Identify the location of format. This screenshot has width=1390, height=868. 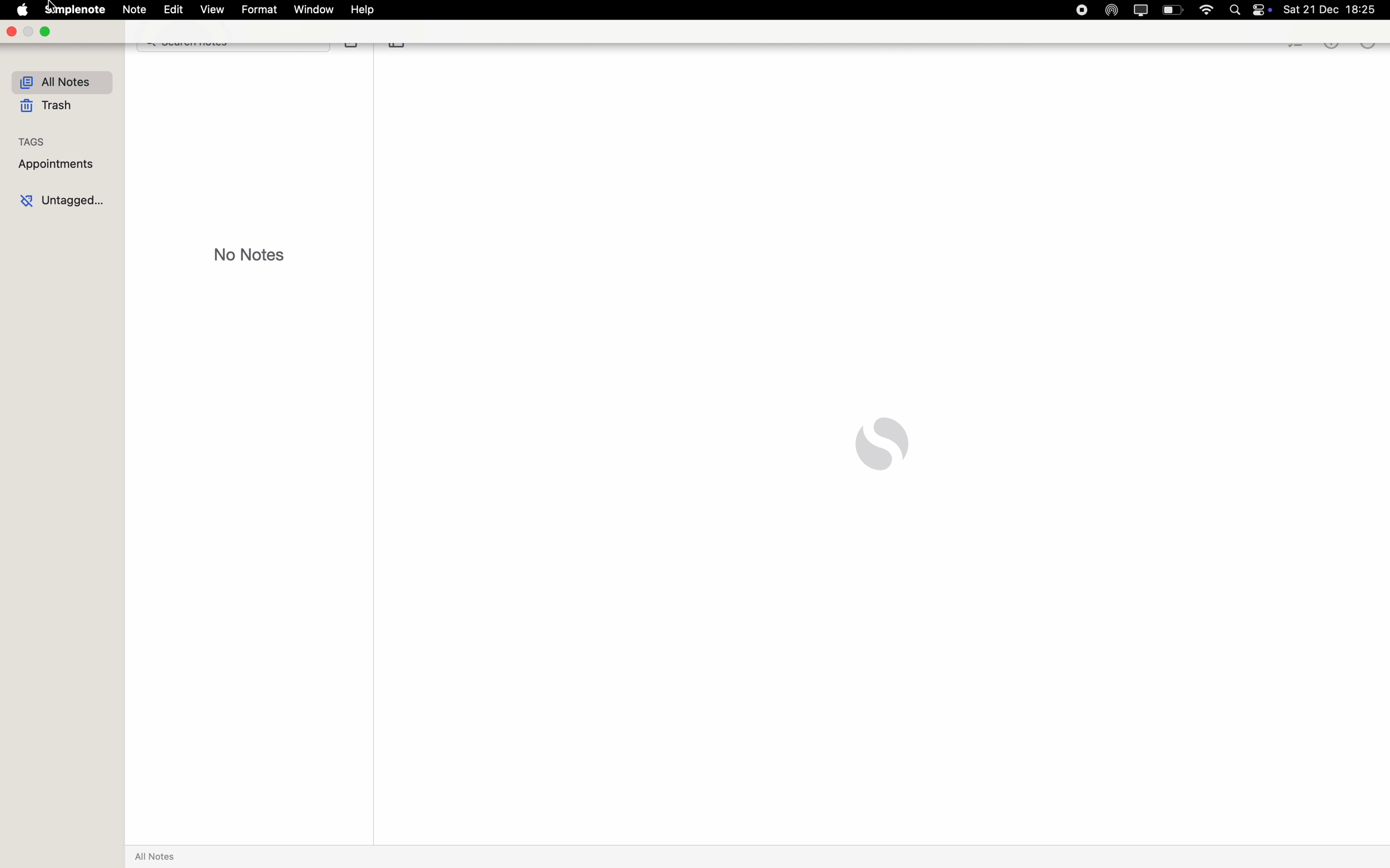
(261, 10).